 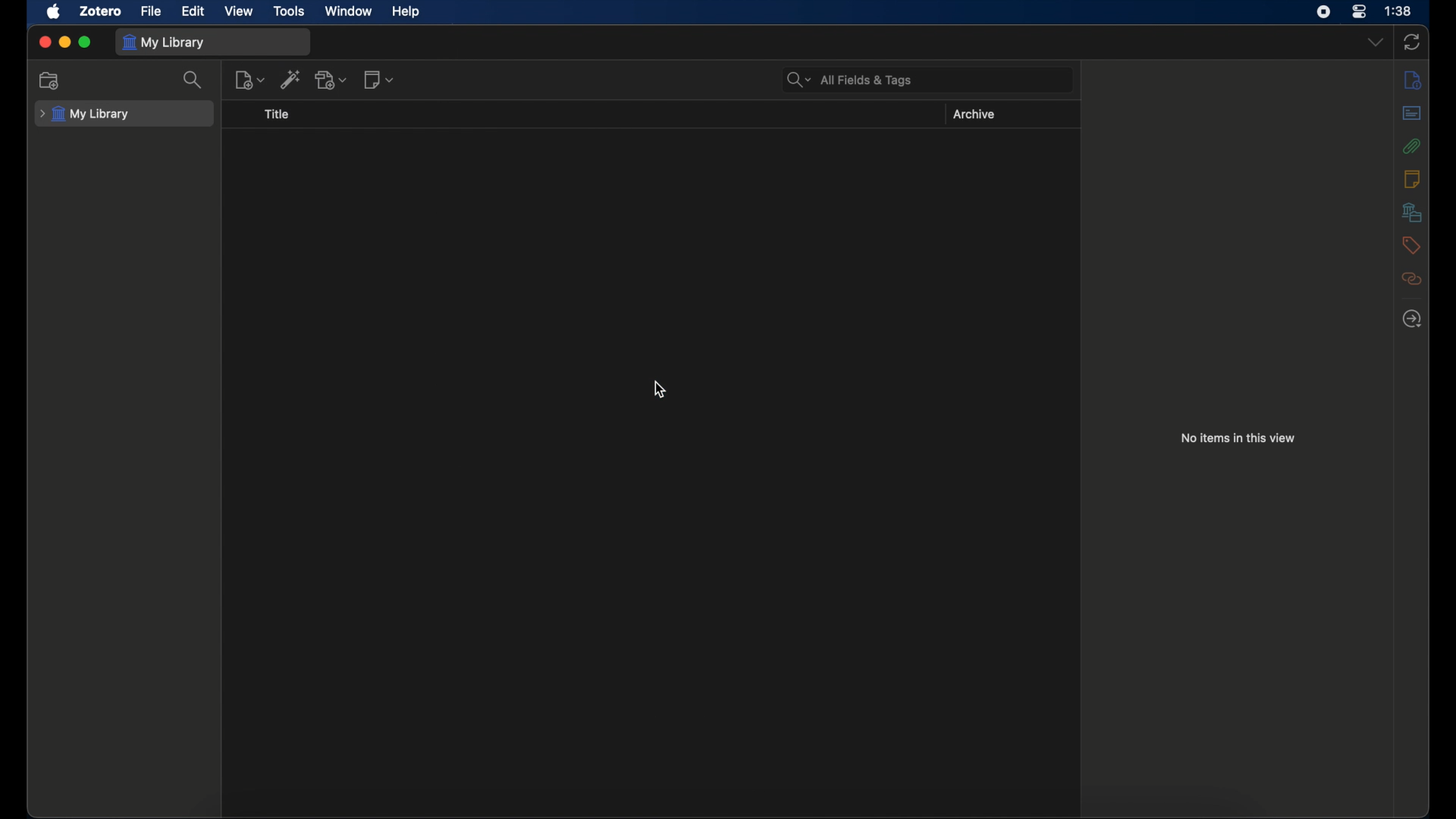 I want to click on new collections, so click(x=51, y=81).